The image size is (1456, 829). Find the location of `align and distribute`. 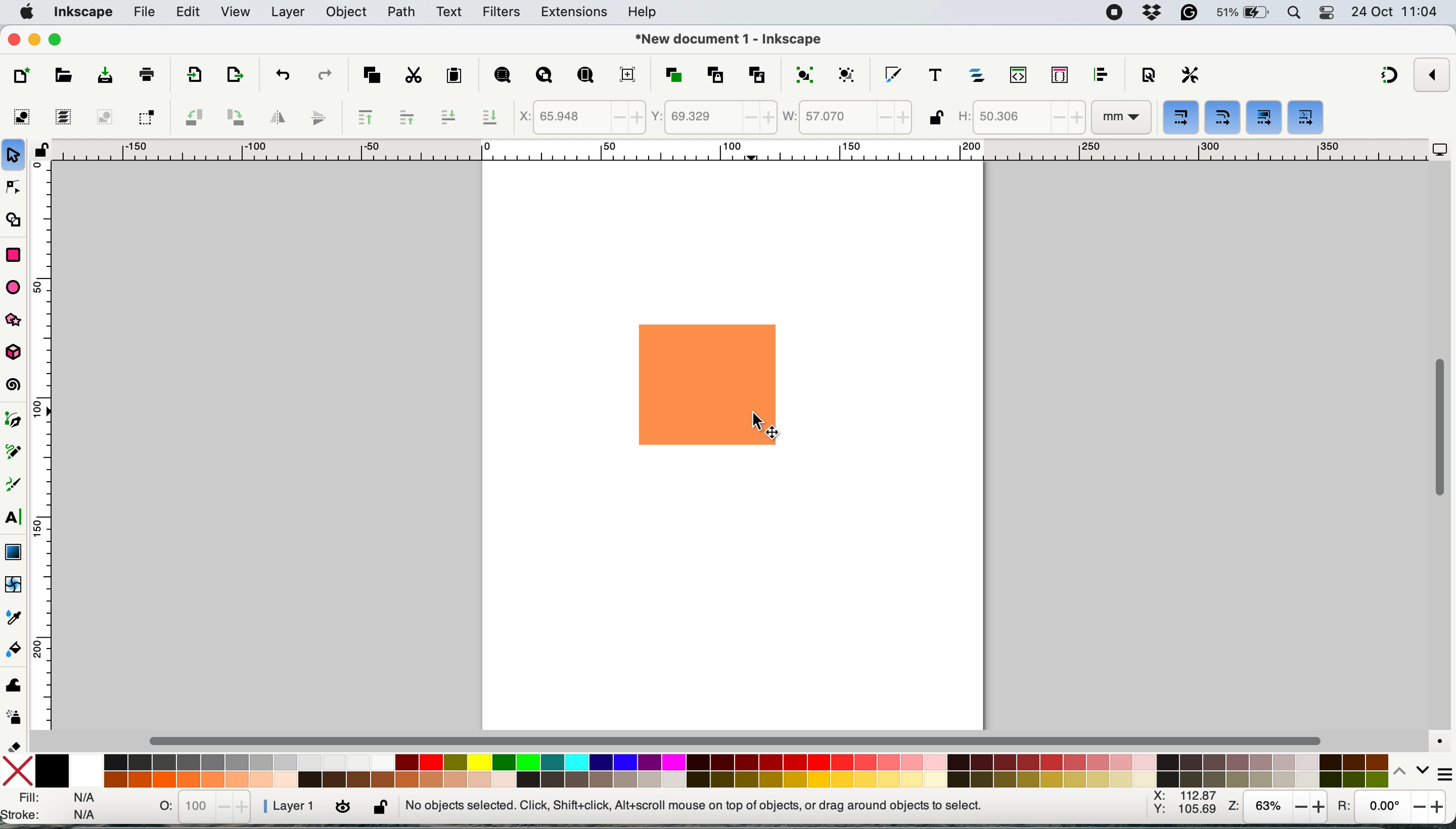

align and distribute is located at coordinates (1101, 75).